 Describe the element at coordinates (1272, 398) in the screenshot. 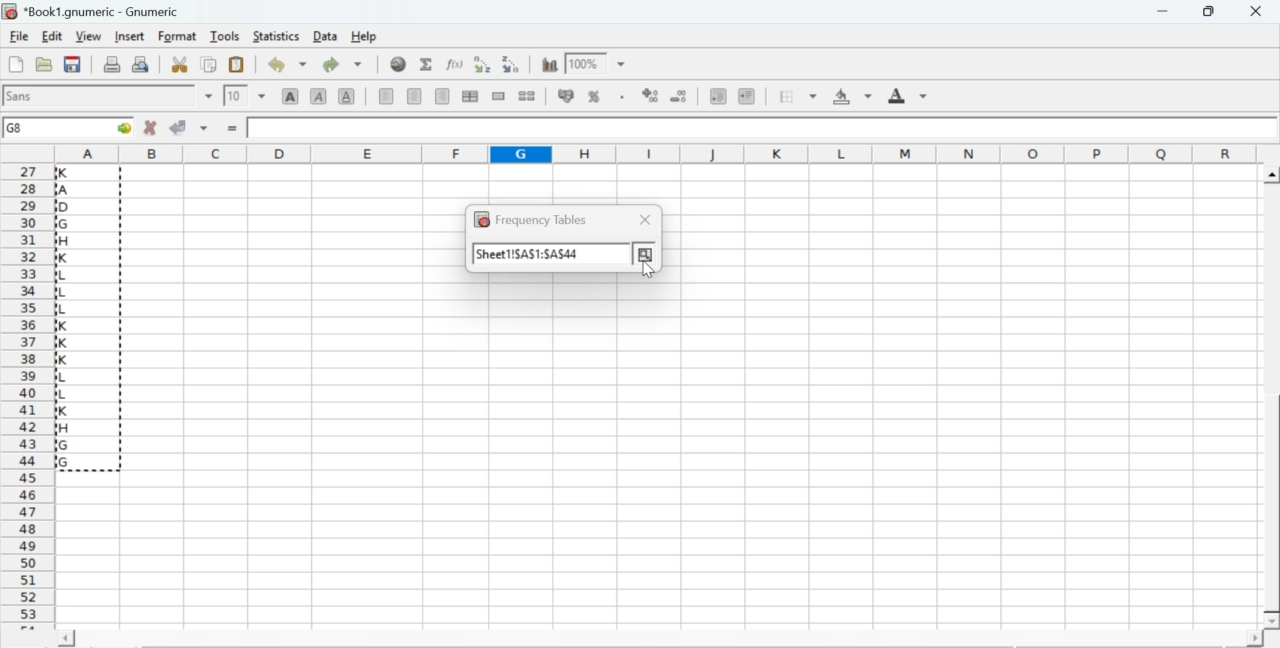

I see `scroll bar` at that location.